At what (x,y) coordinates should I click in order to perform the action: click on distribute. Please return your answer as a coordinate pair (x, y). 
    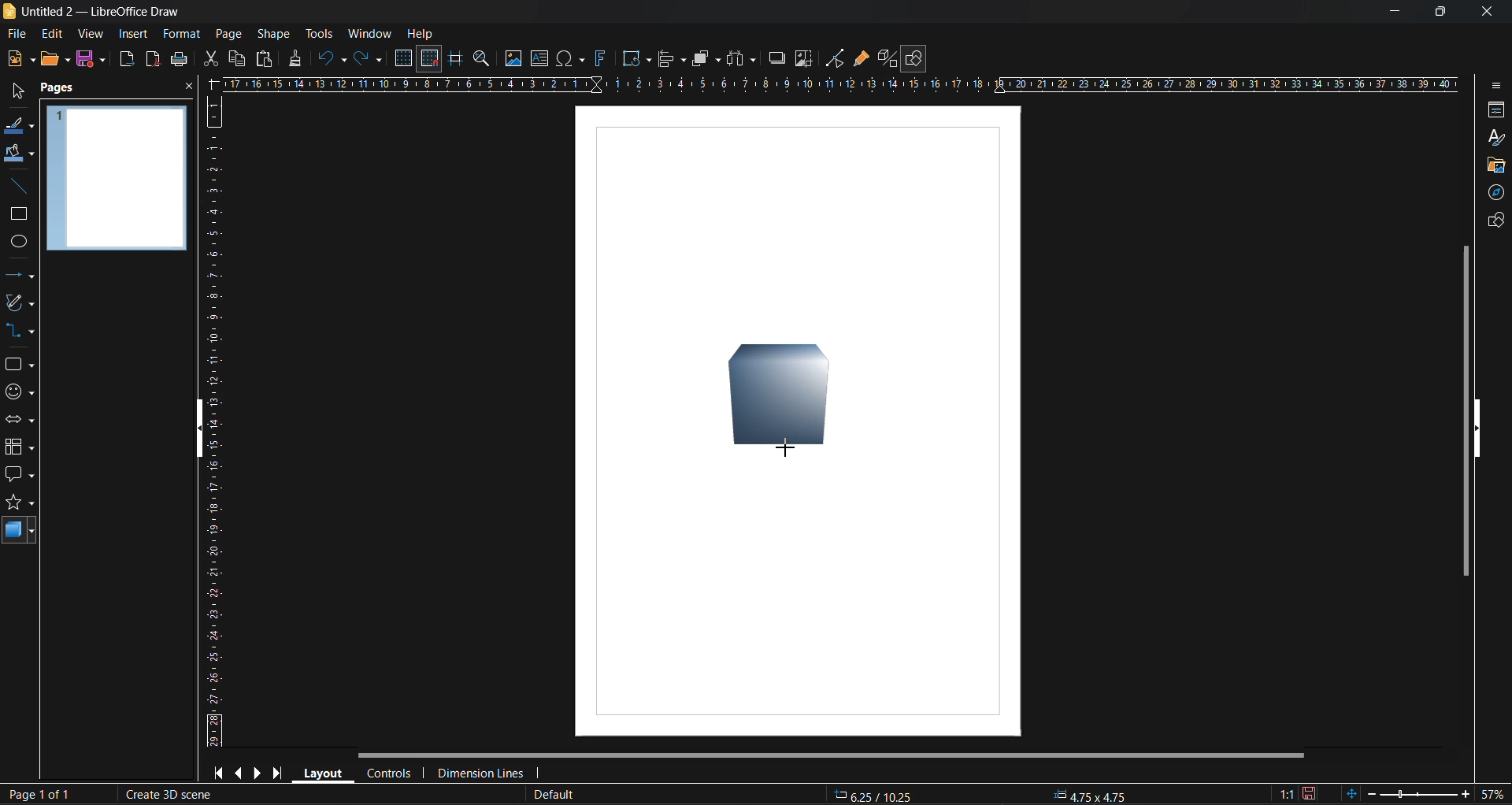
    Looking at the image, I should click on (743, 57).